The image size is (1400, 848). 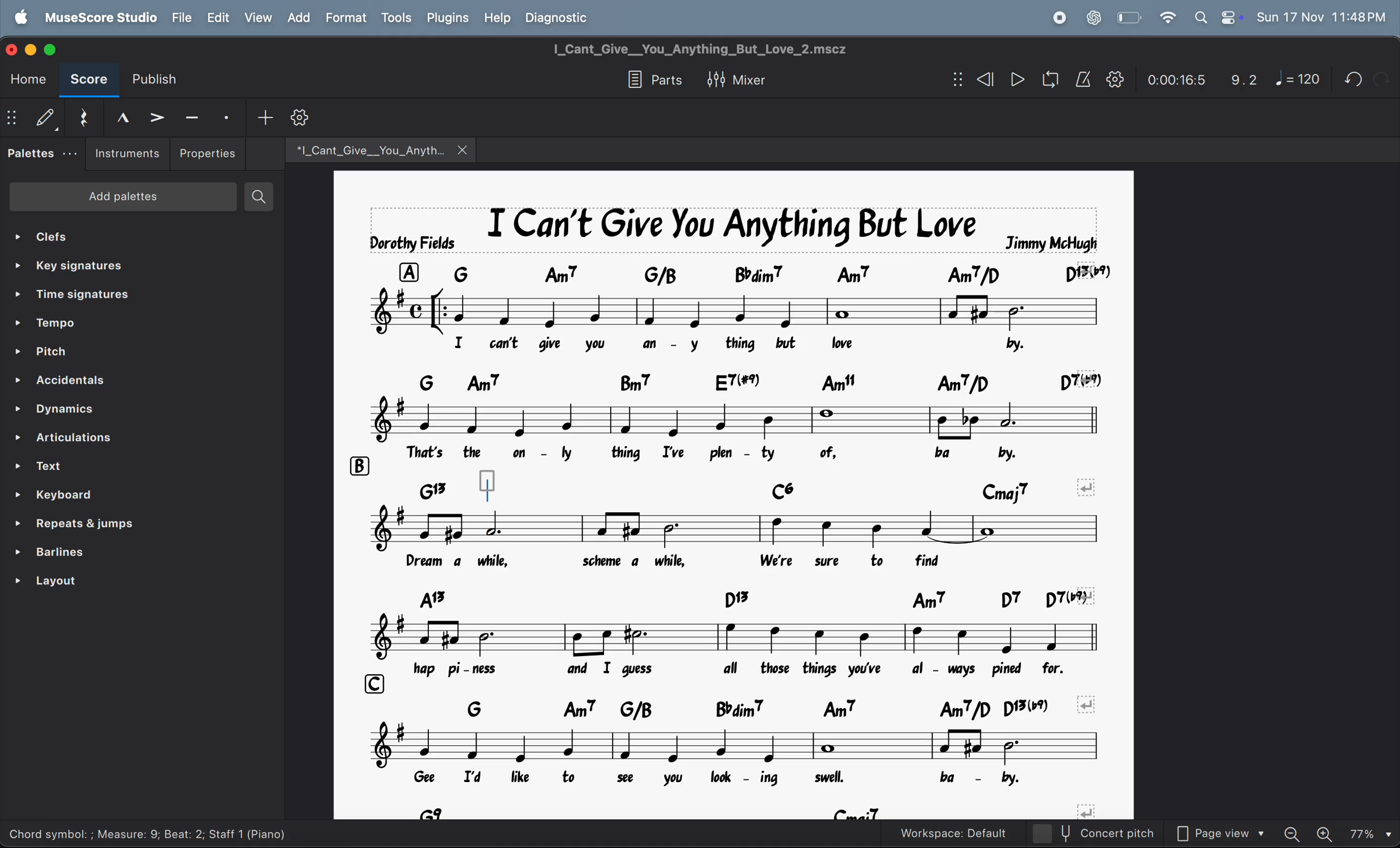 I want to click on accidentals, so click(x=126, y=382).